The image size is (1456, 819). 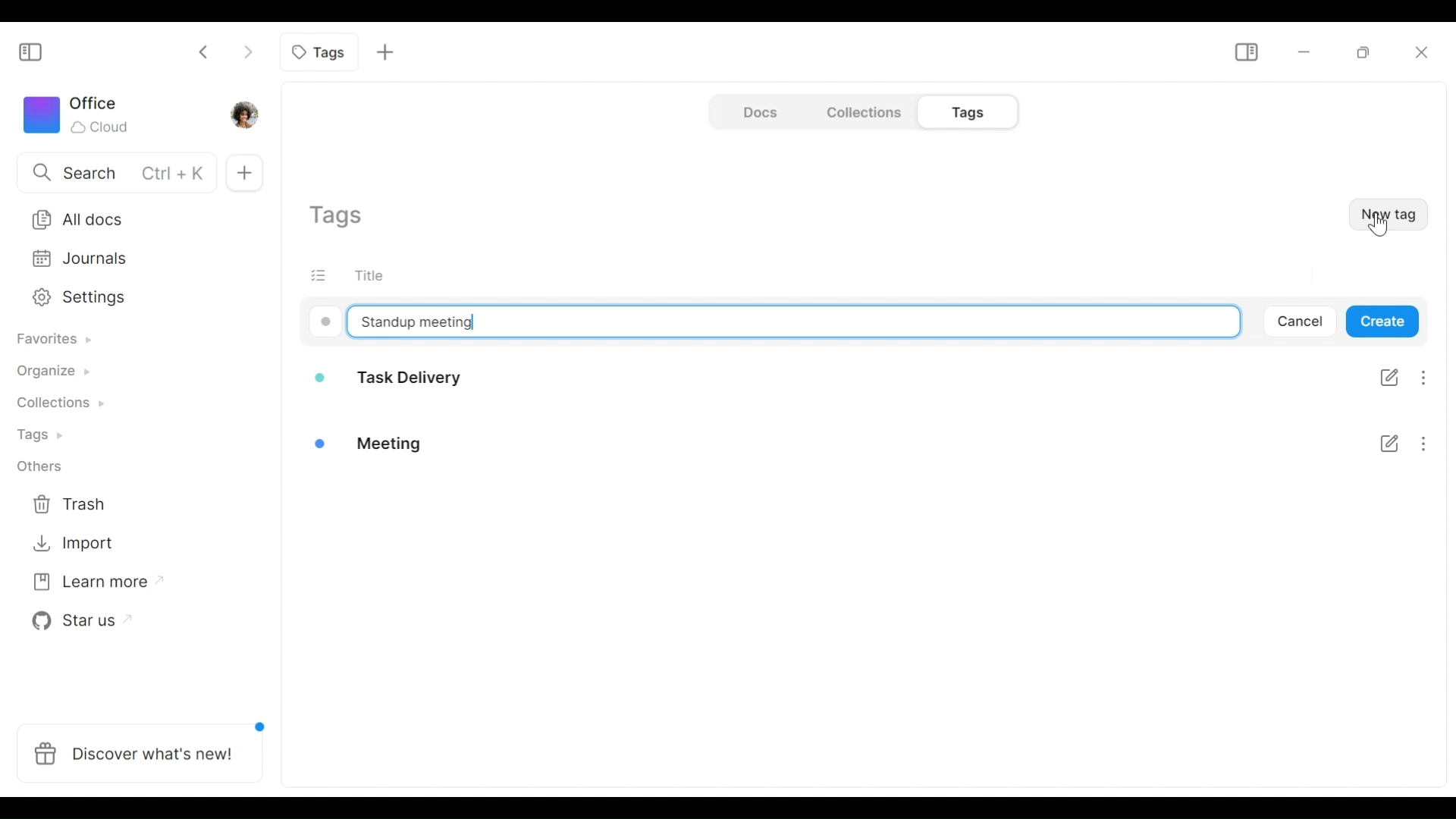 I want to click on Meeting, so click(x=397, y=439).